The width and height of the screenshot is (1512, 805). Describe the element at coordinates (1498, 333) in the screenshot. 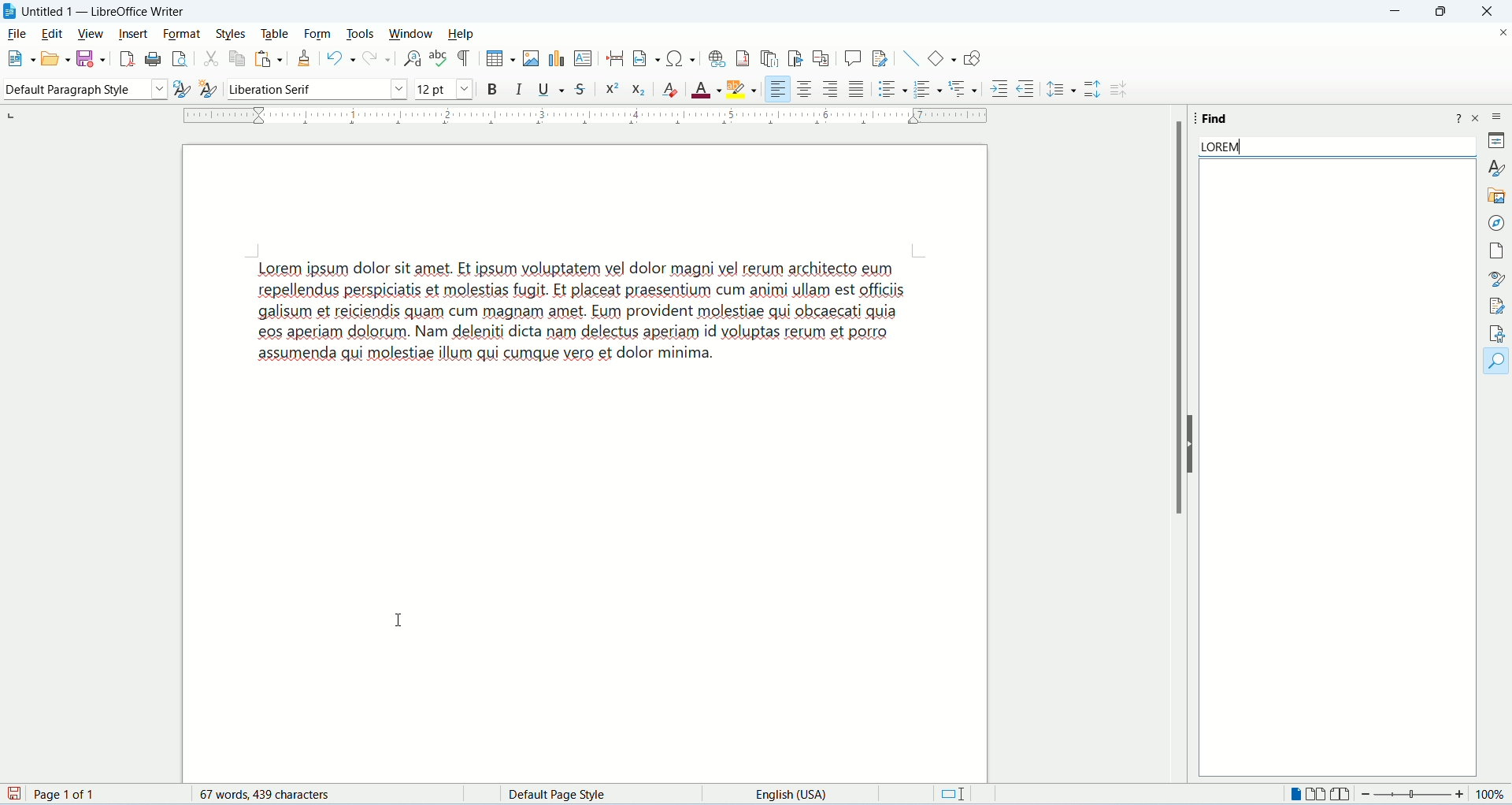

I see `accessibility check` at that location.